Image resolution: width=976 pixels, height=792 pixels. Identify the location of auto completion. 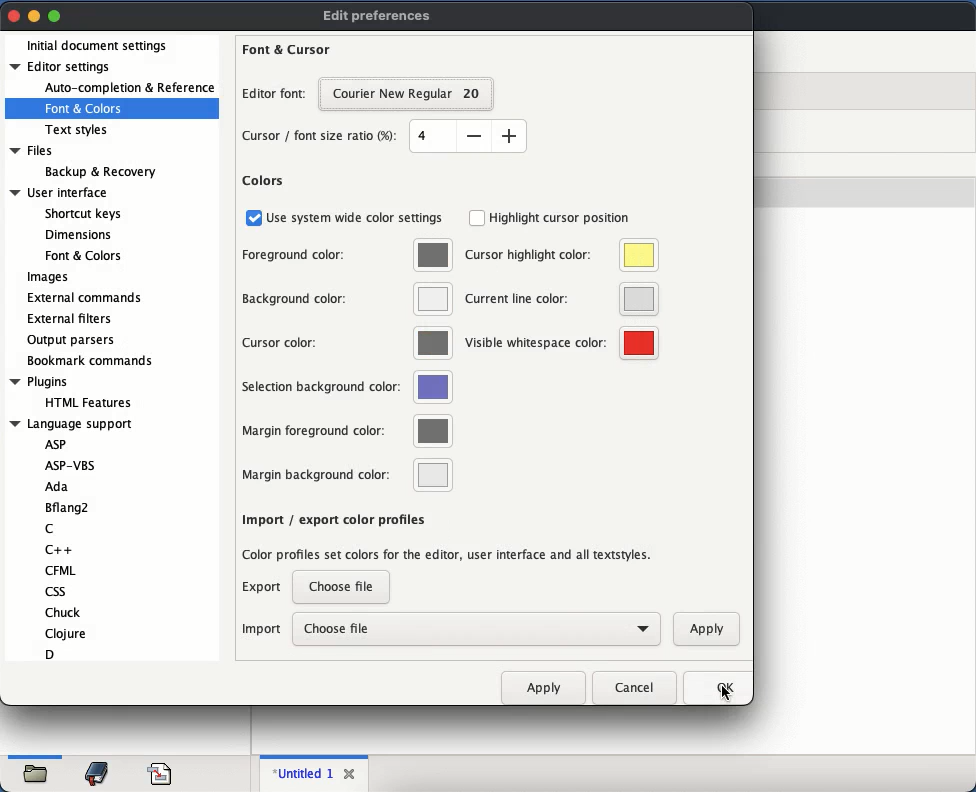
(124, 88).